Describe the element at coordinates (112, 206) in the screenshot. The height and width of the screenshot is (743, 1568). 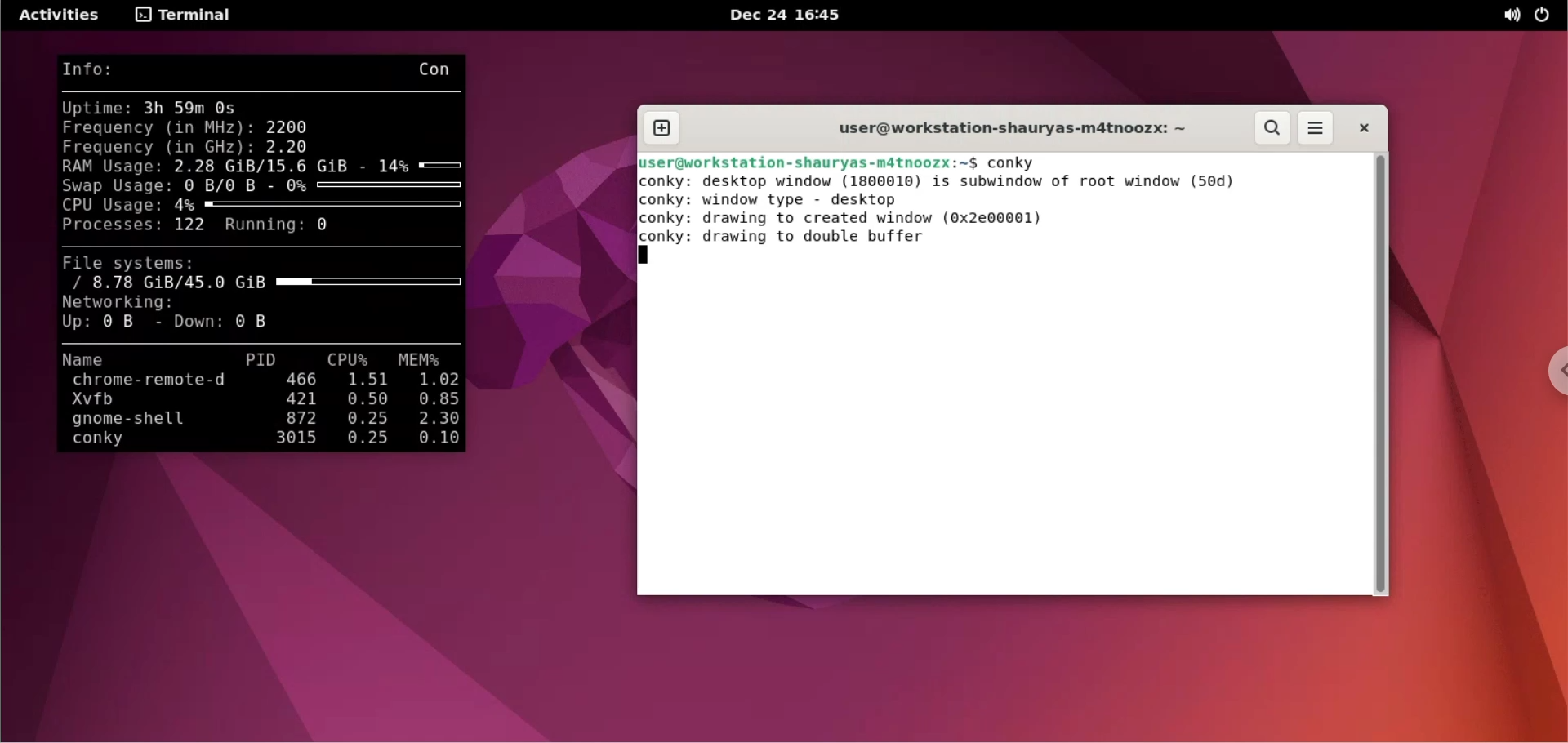
I see `CPU usage label` at that location.